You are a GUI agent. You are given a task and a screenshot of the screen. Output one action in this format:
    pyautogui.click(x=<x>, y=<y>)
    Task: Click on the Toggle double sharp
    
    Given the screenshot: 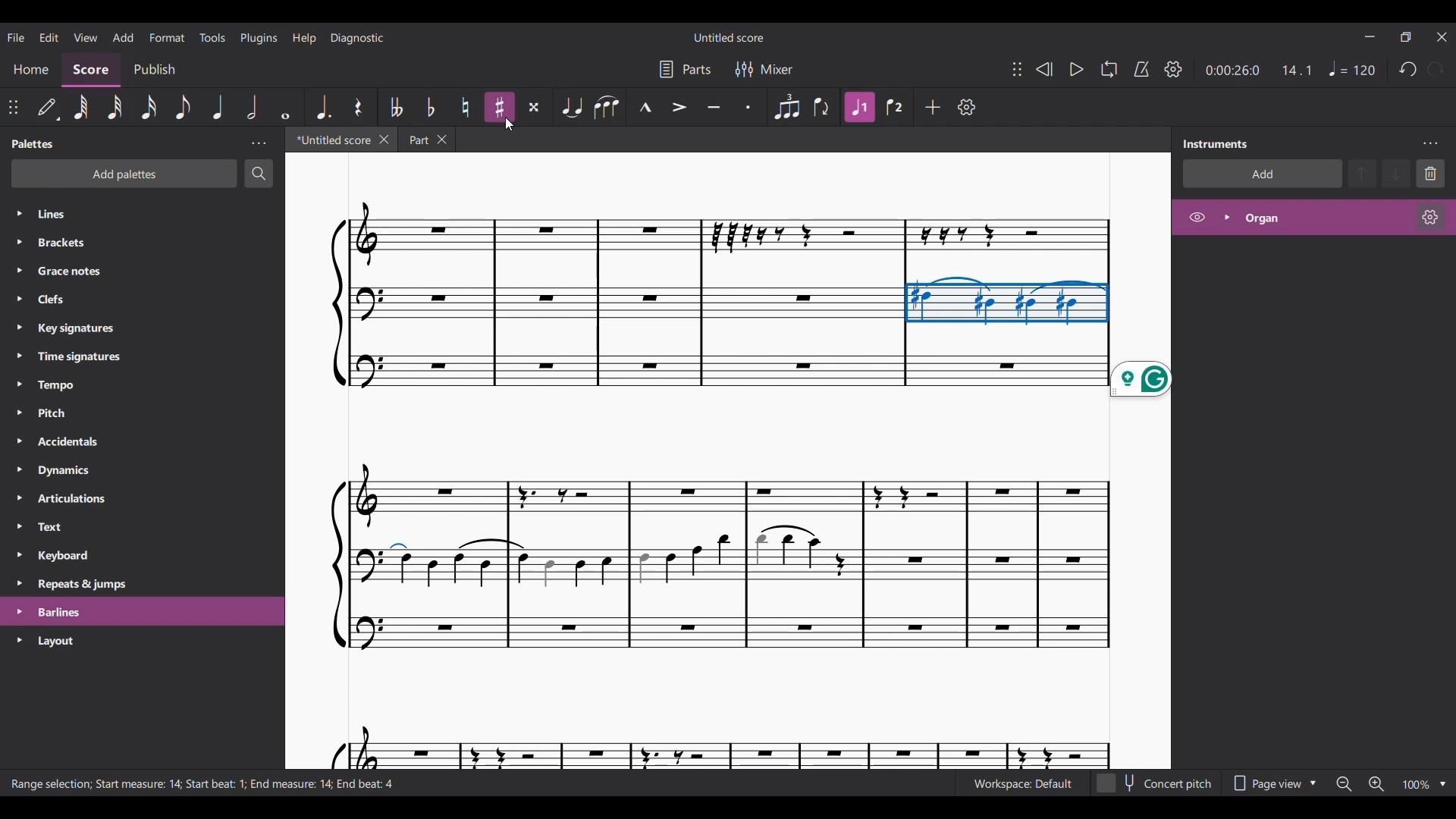 What is the action you would take?
    pyautogui.click(x=534, y=106)
    